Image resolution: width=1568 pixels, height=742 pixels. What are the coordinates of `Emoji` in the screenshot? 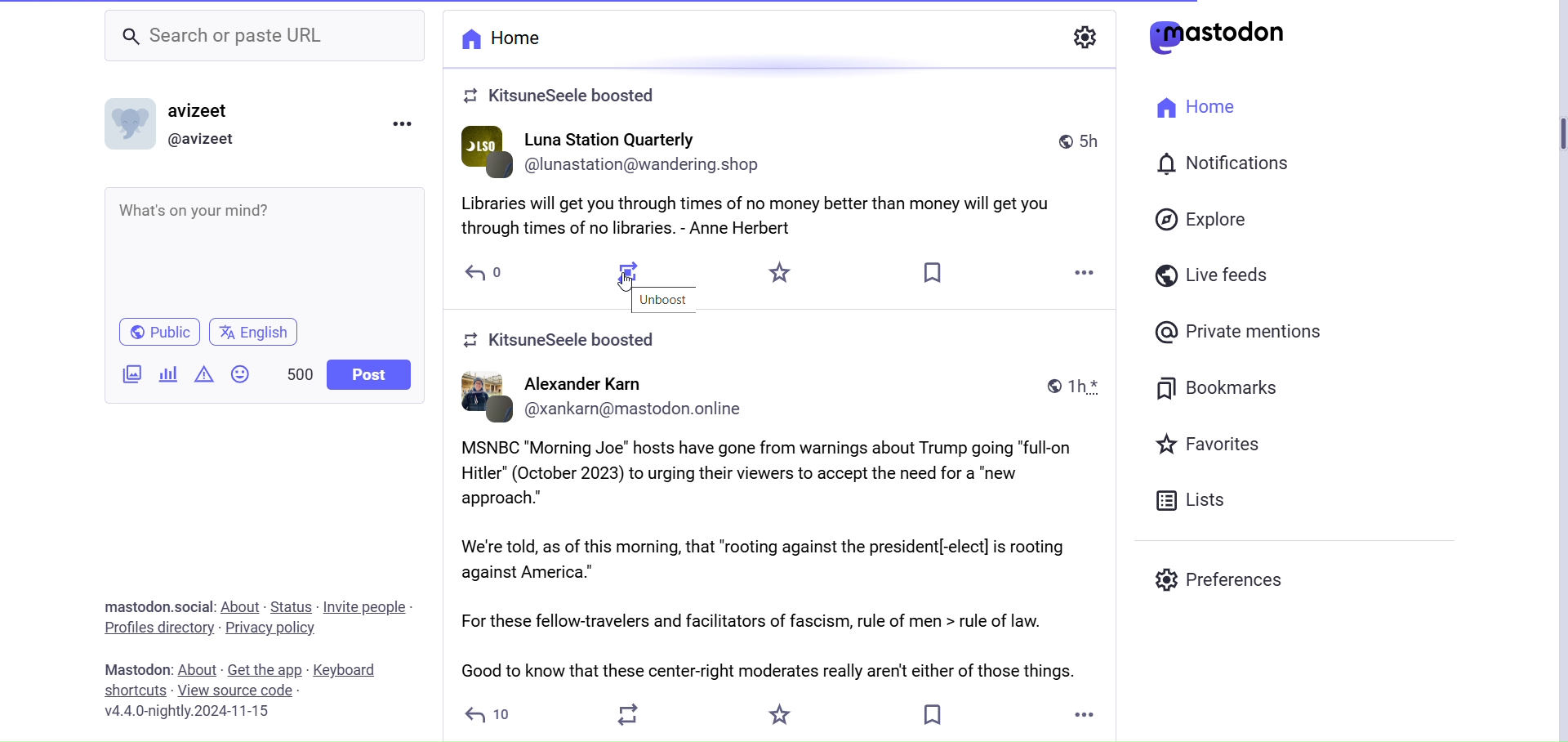 It's located at (242, 373).